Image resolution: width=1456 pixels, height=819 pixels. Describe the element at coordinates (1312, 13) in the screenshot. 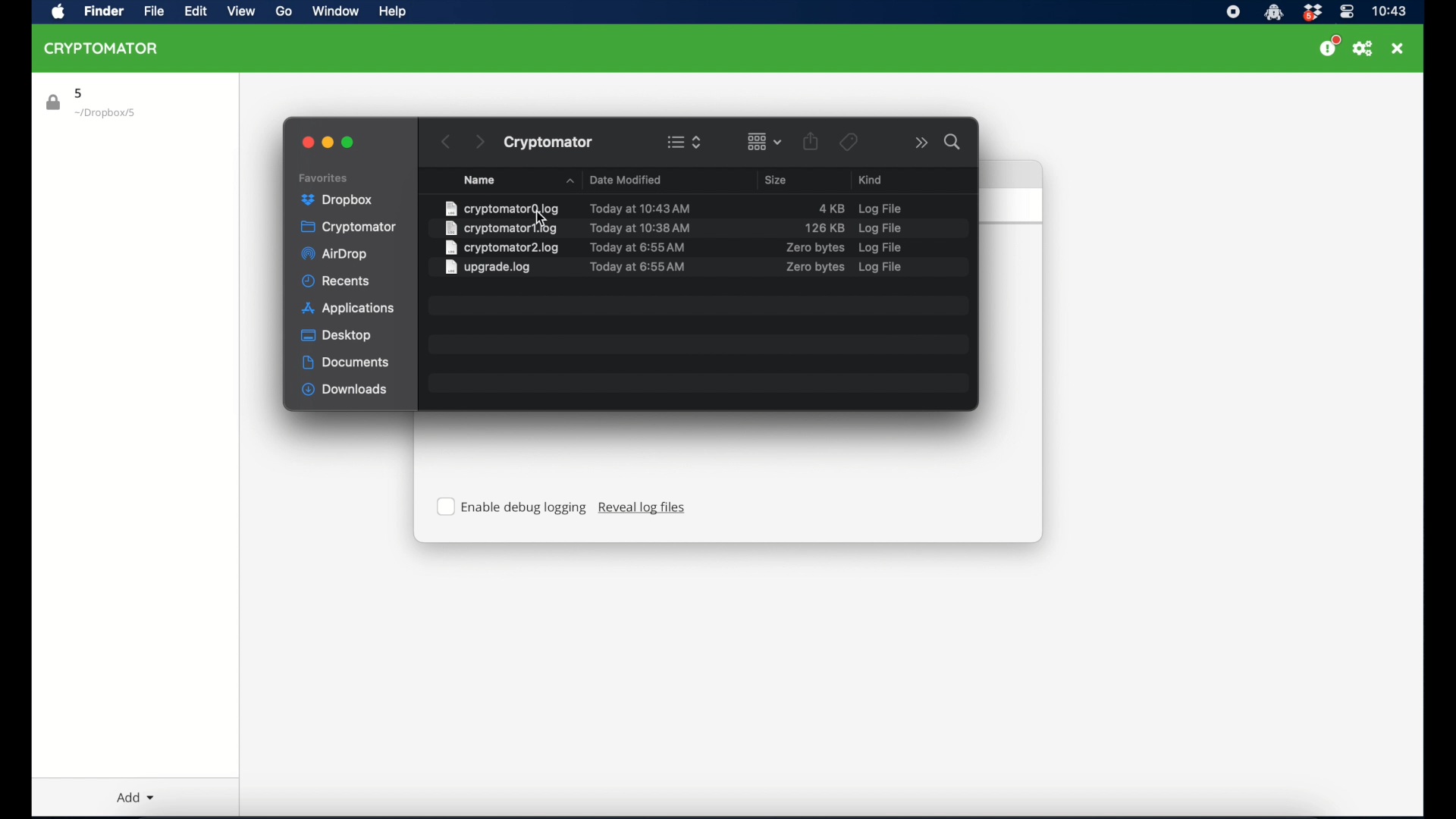

I see `dropbox icon` at that location.